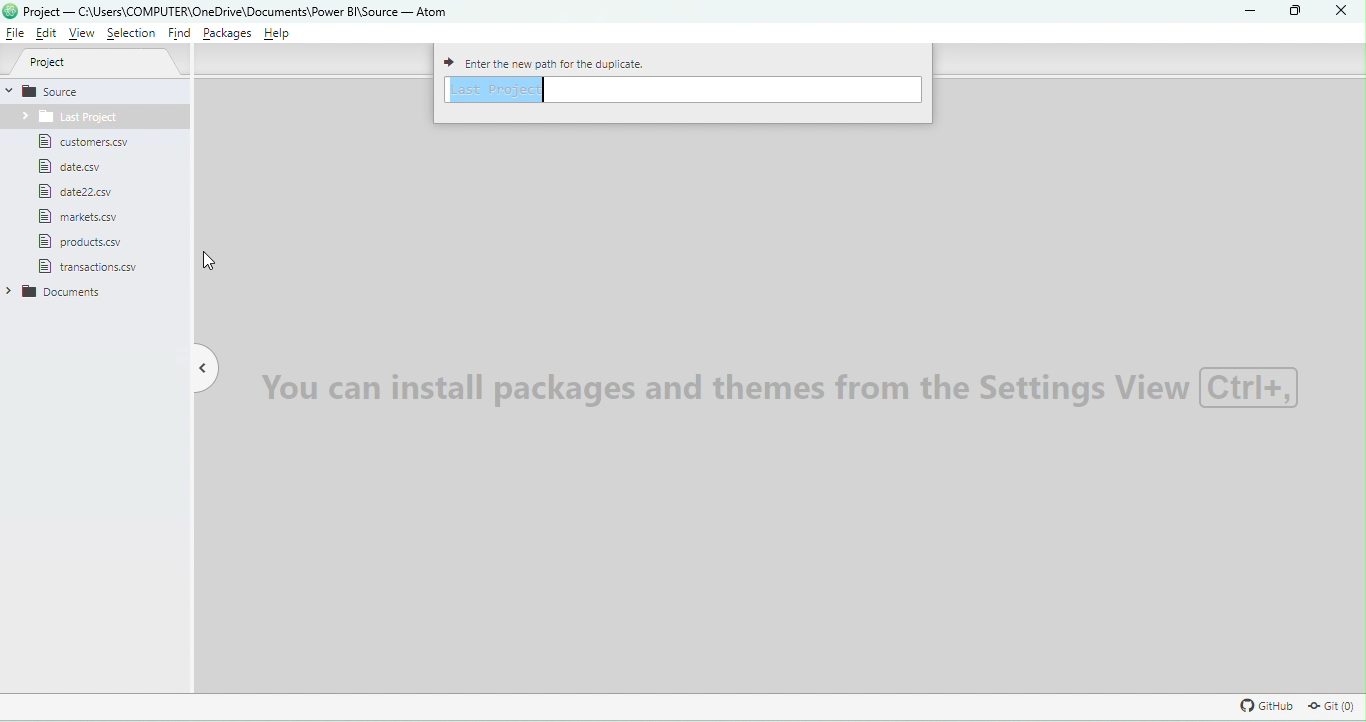  What do you see at coordinates (680, 91) in the screenshot?
I see `Enter path` at bounding box center [680, 91].